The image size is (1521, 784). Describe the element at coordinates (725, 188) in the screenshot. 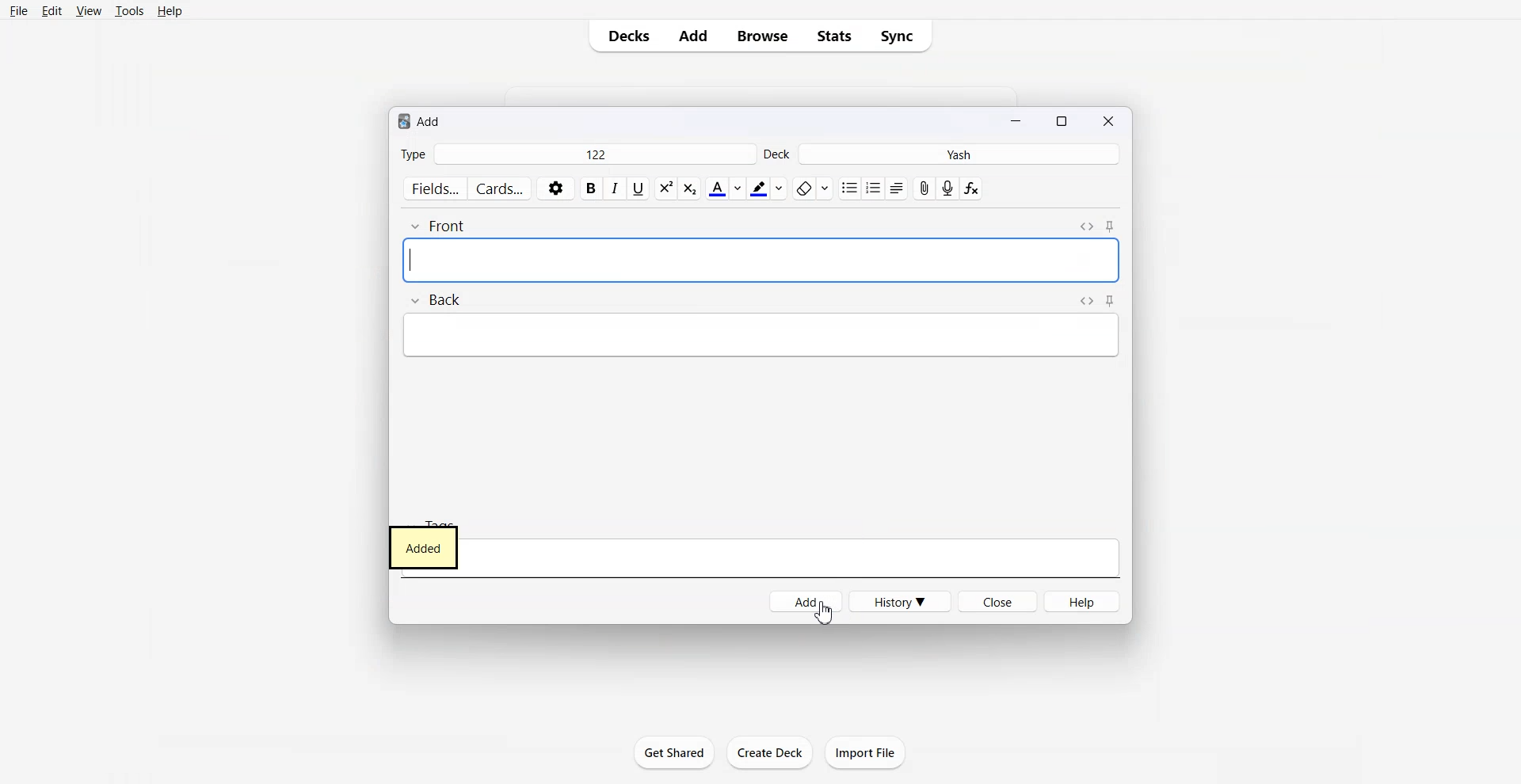

I see `Text Color` at that location.